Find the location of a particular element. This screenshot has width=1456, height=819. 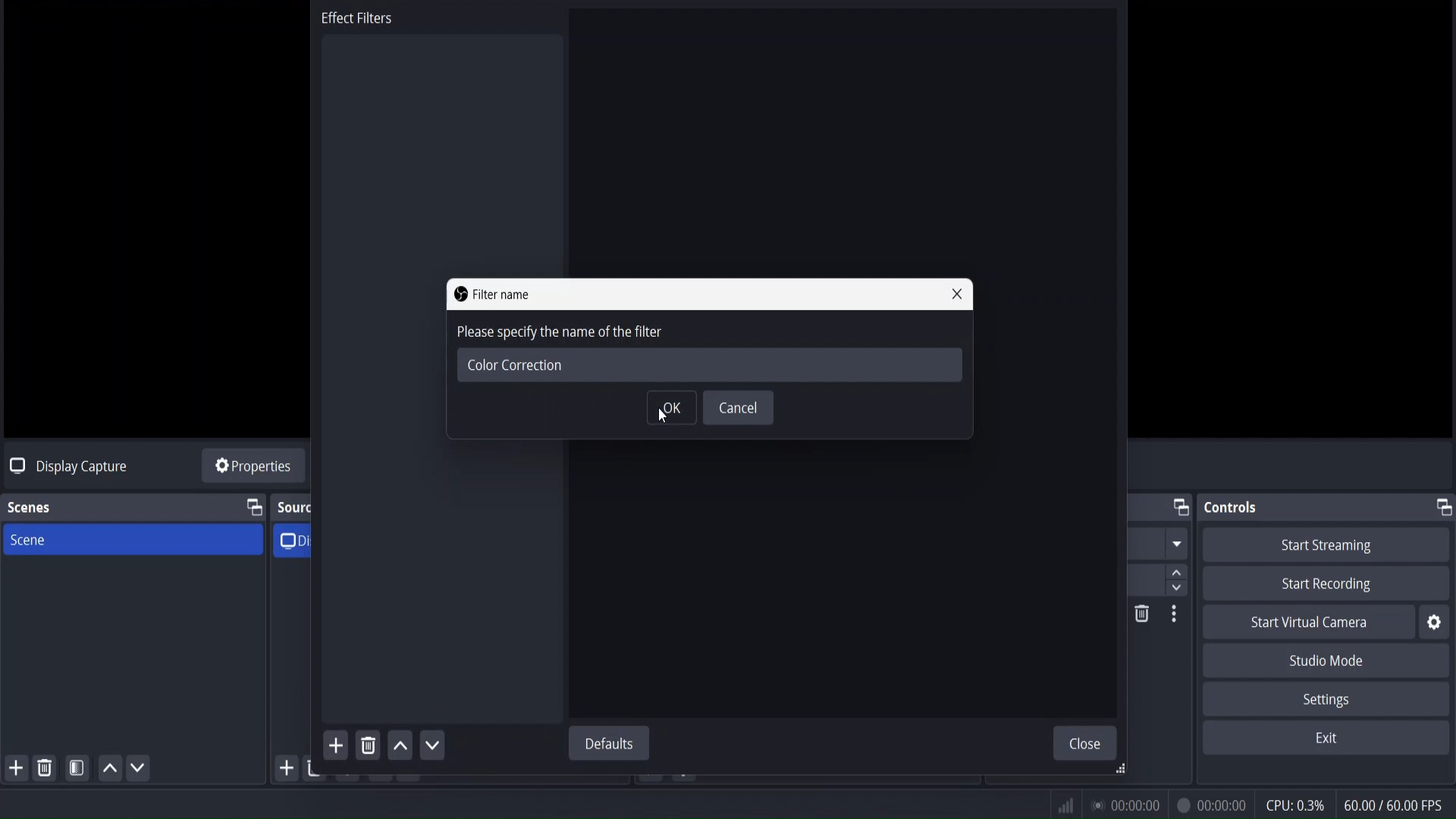

add scene is located at coordinates (17, 769).